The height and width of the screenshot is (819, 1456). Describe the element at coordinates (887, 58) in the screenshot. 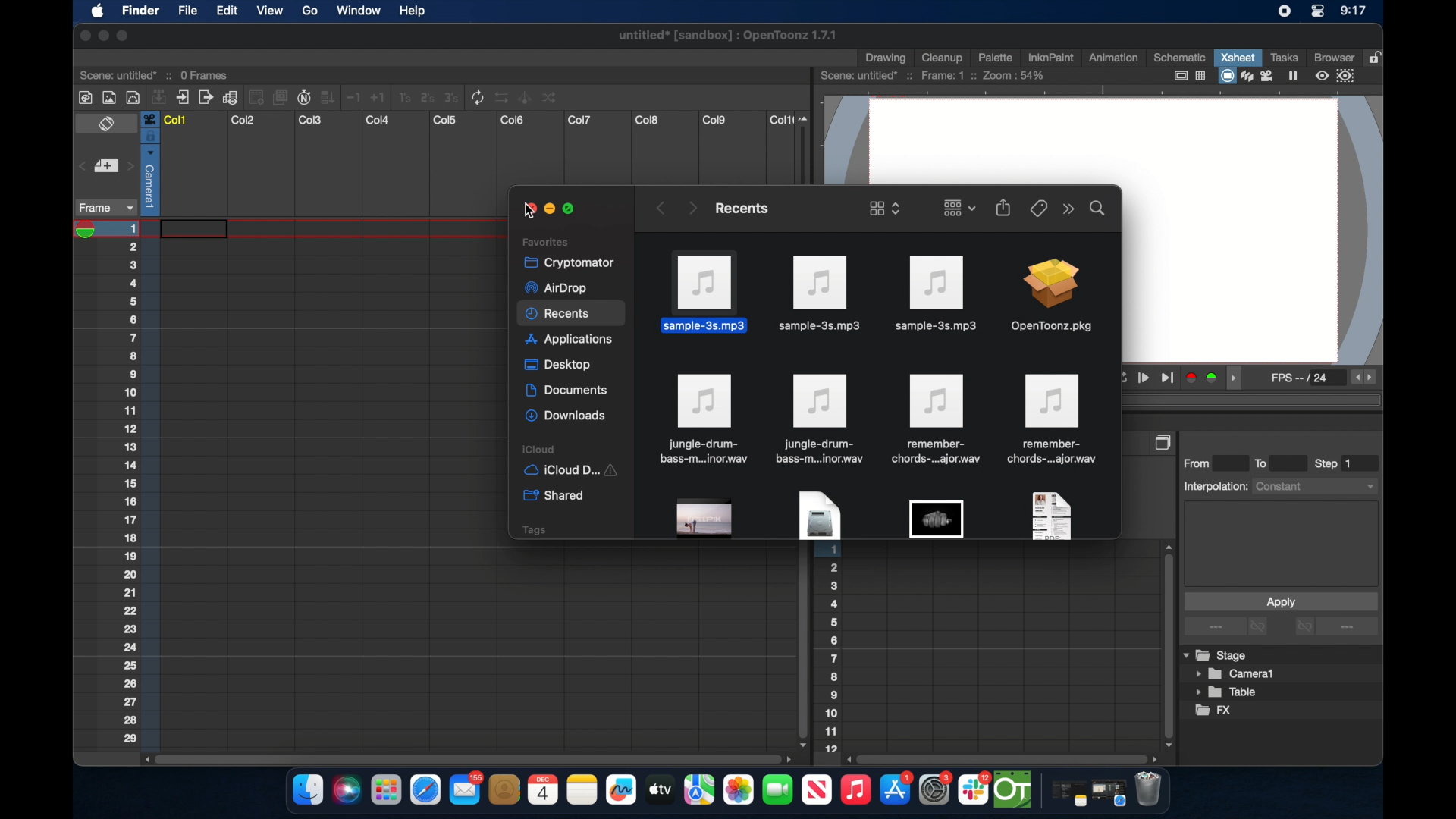

I see `drawing` at that location.